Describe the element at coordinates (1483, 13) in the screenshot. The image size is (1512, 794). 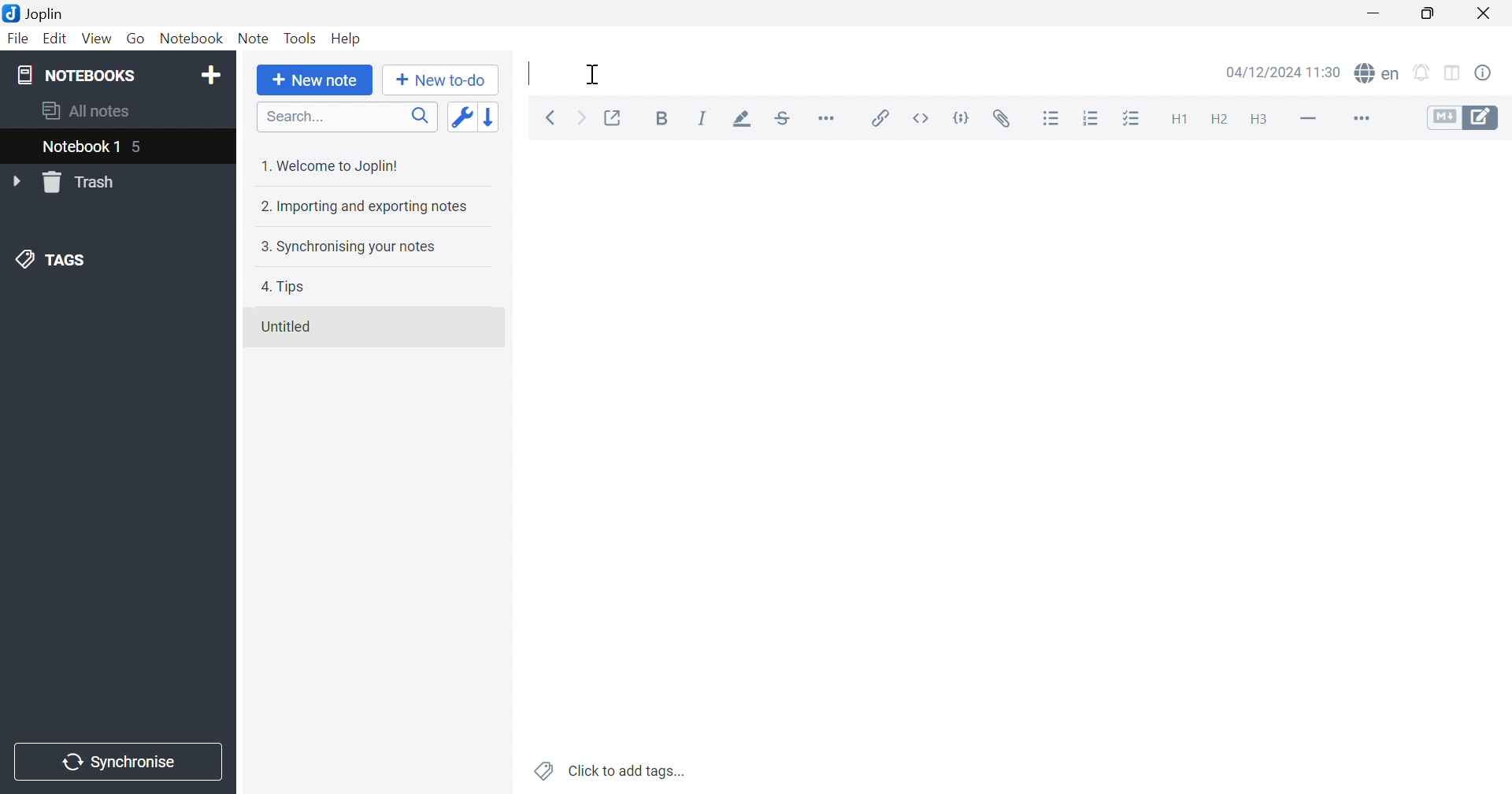
I see `Close` at that location.